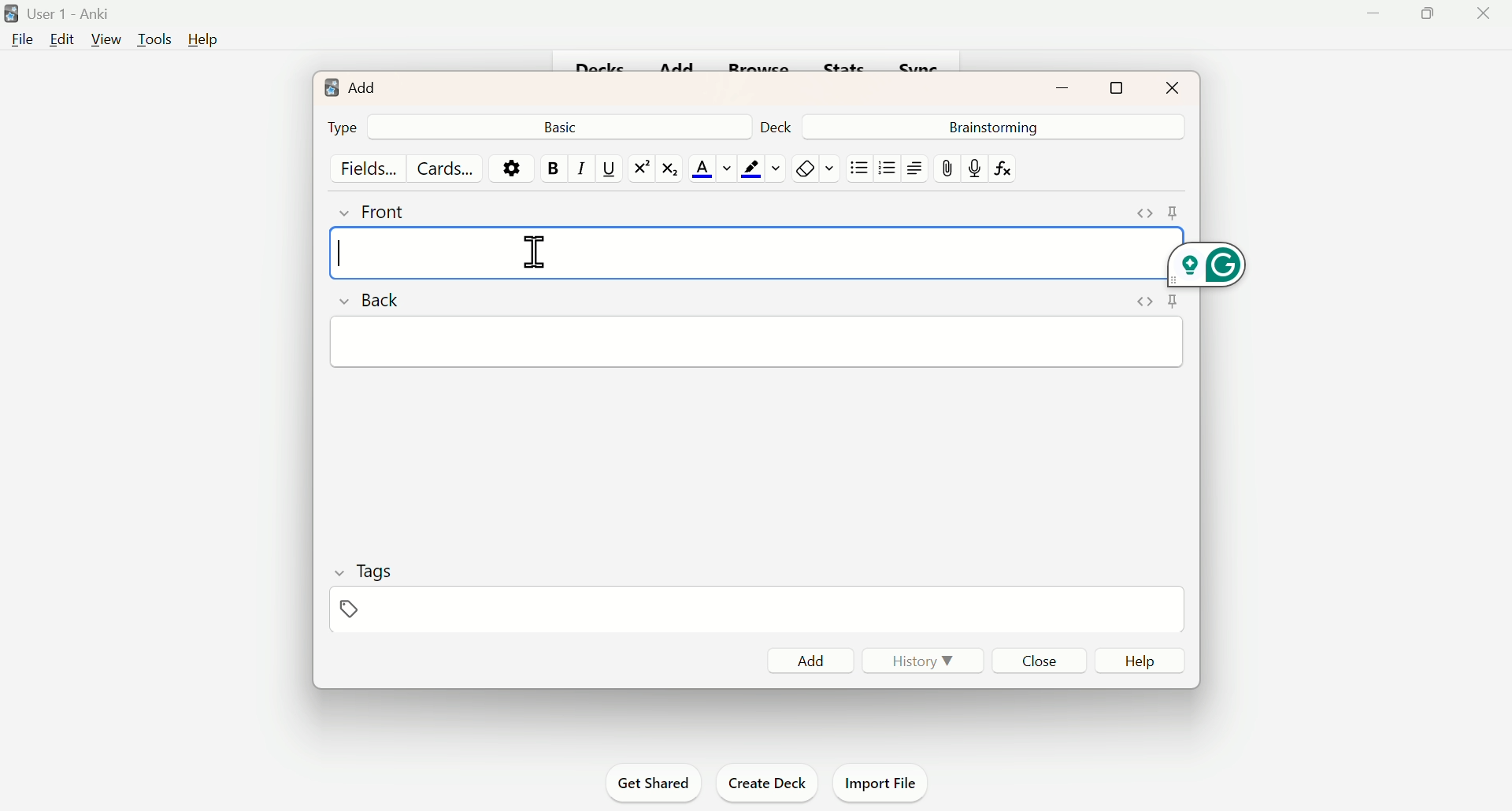  I want to click on Pins, so click(1158, 213).